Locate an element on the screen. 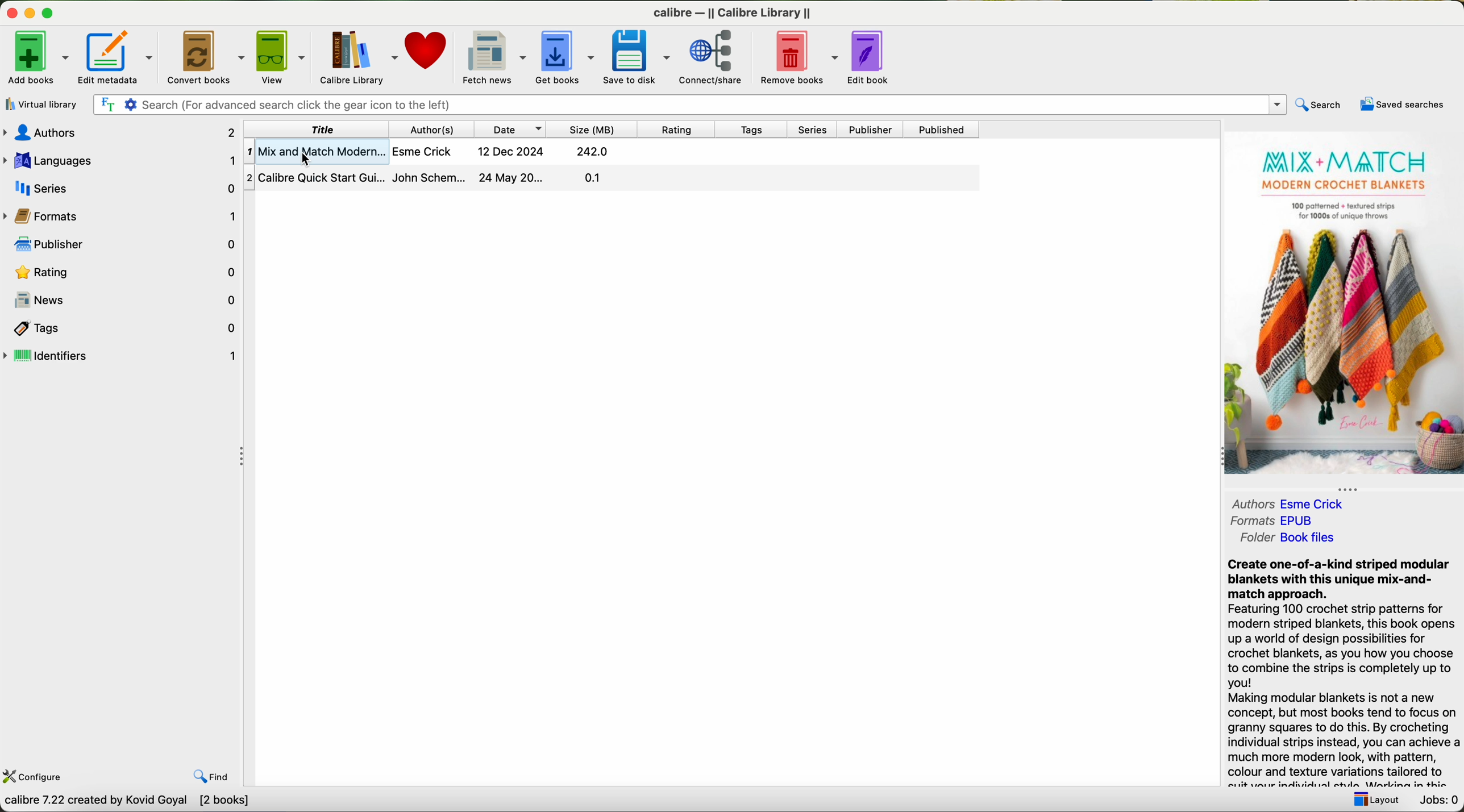  rating is located at coordinates (675, 129).